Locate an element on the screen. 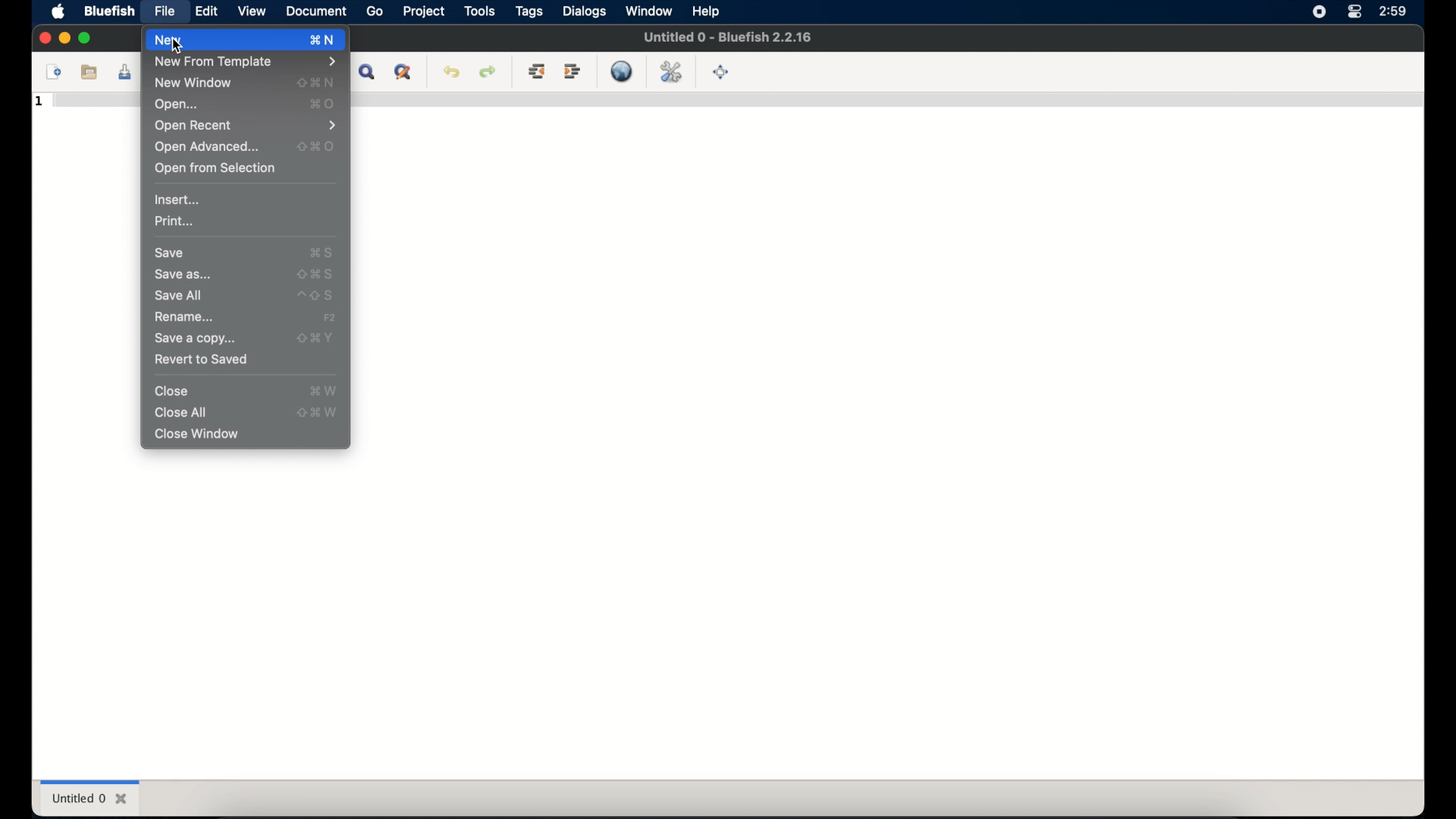  close shortcut is located at coordinates (323, 391).